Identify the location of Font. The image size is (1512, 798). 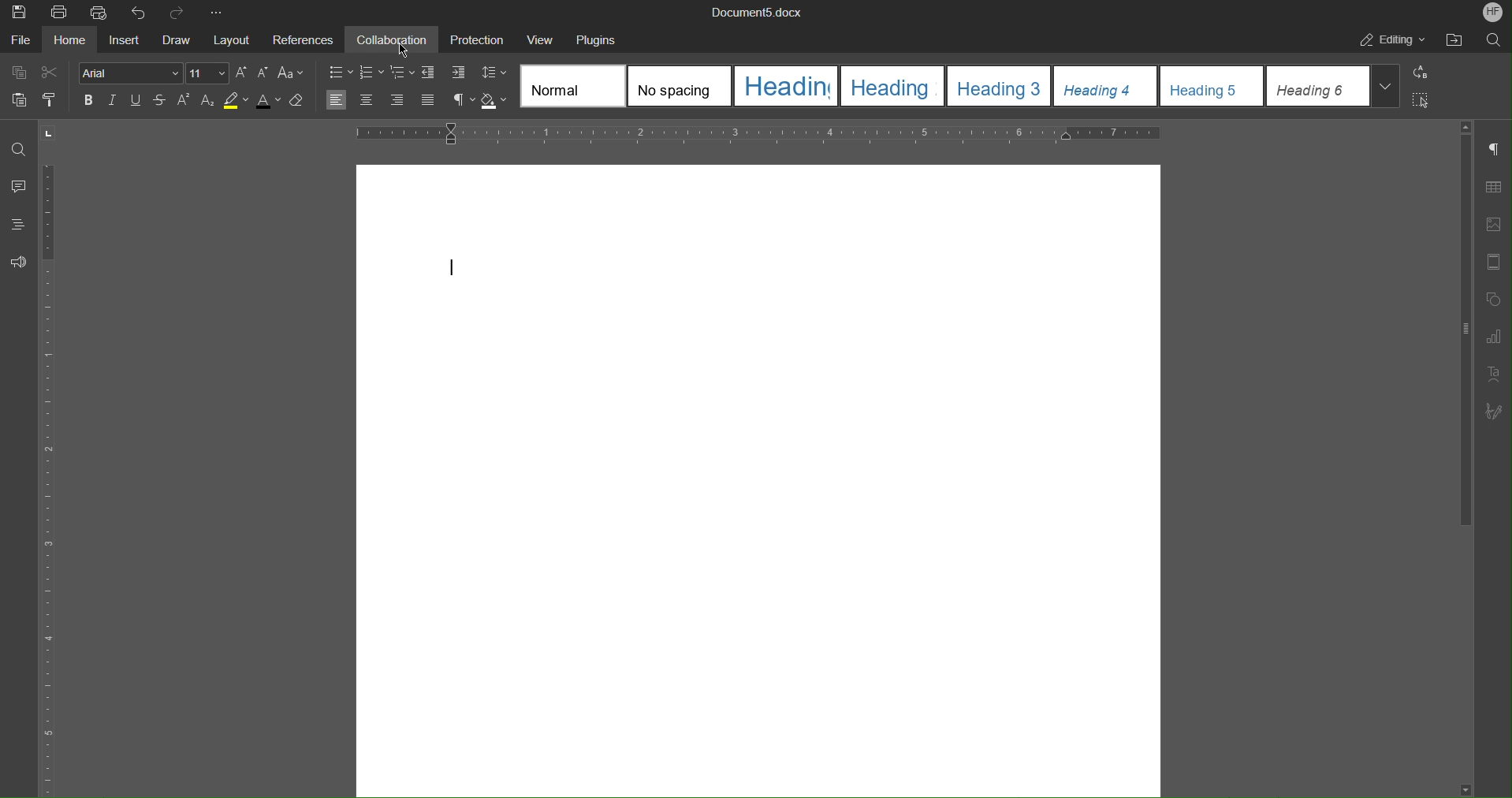
(126, 72).